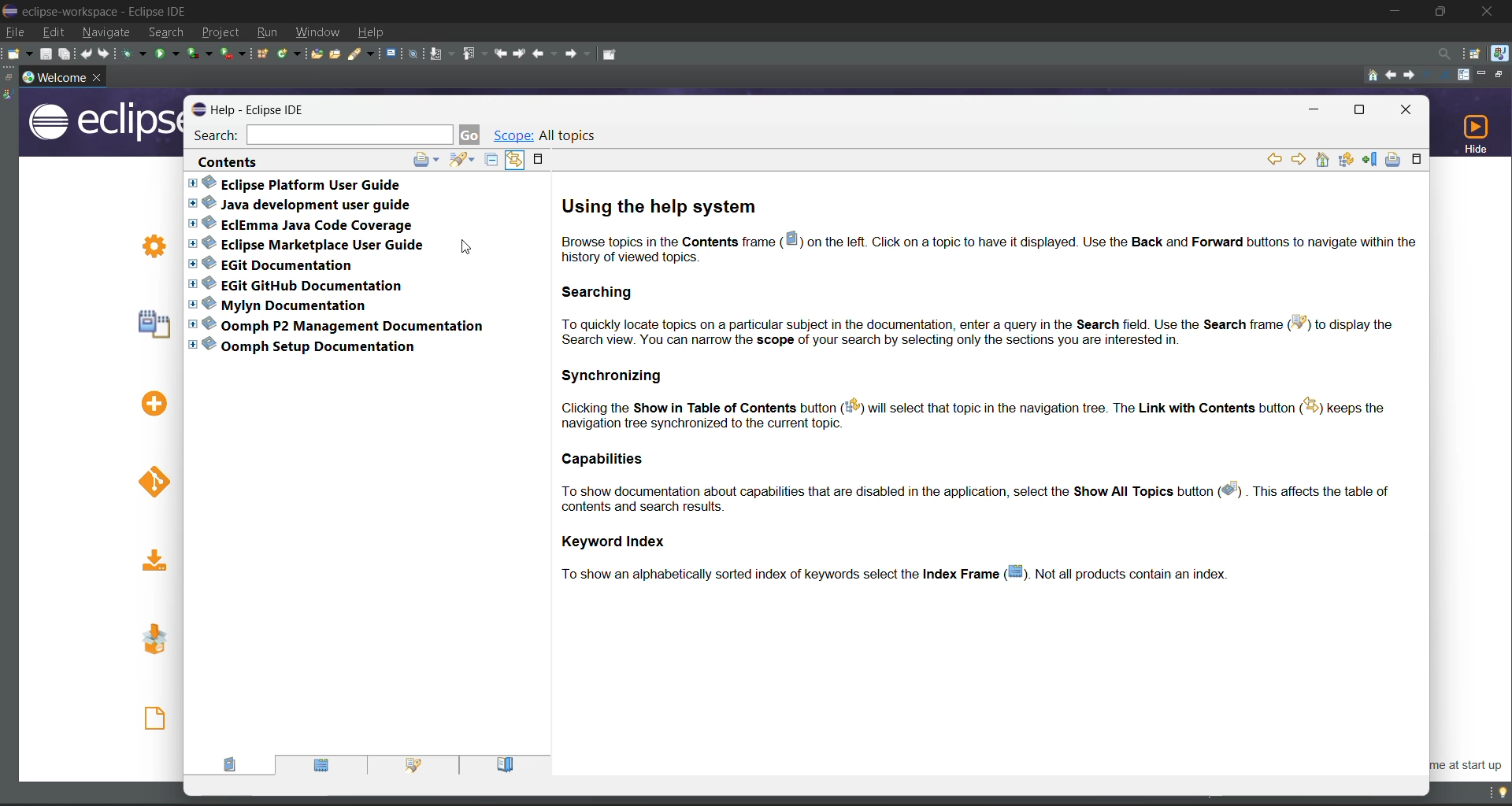  I want to click on open a terminal, so click(391, 52).